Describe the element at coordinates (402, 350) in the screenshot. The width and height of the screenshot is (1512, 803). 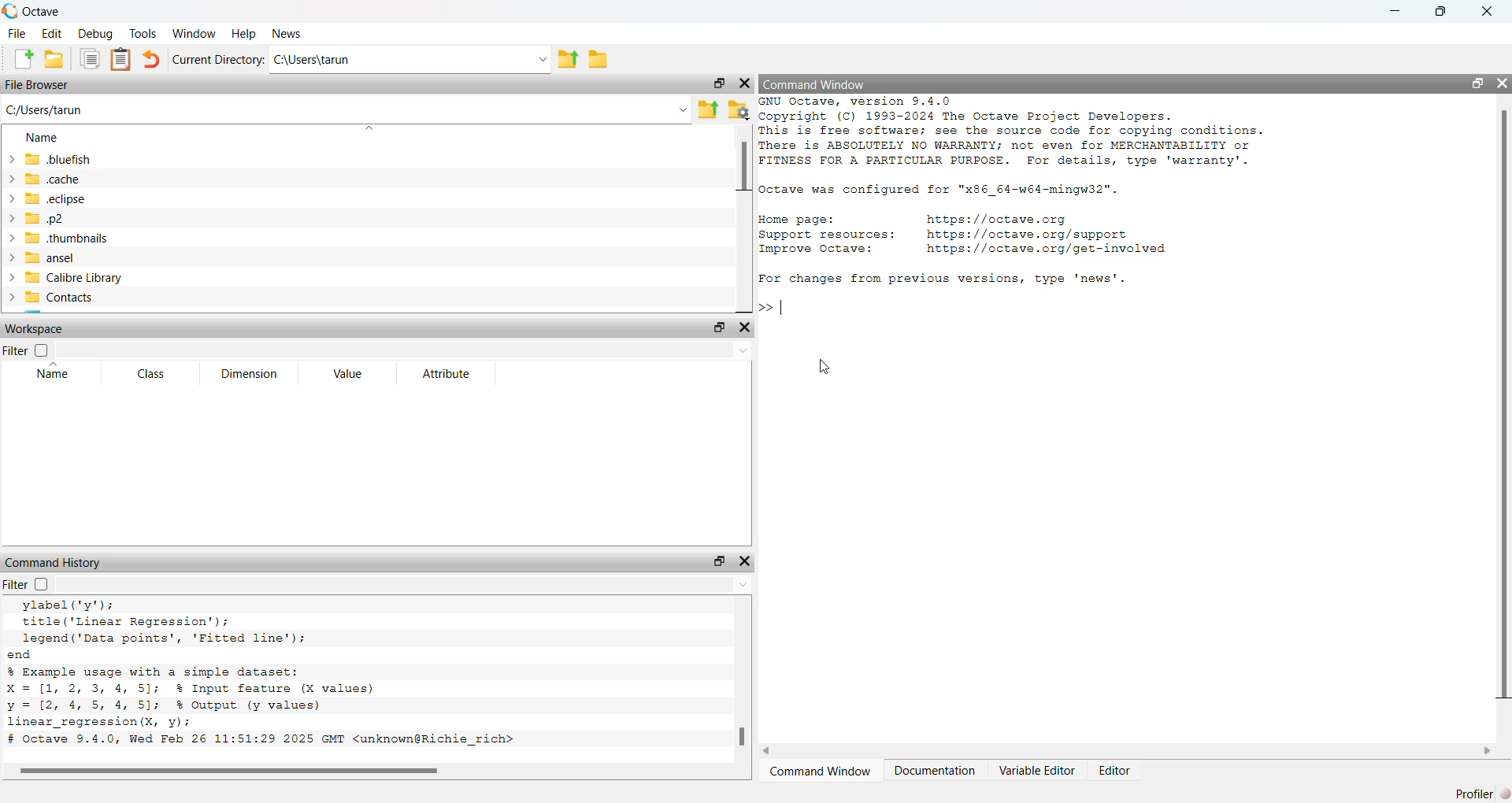
I see `filter input field` at that location.